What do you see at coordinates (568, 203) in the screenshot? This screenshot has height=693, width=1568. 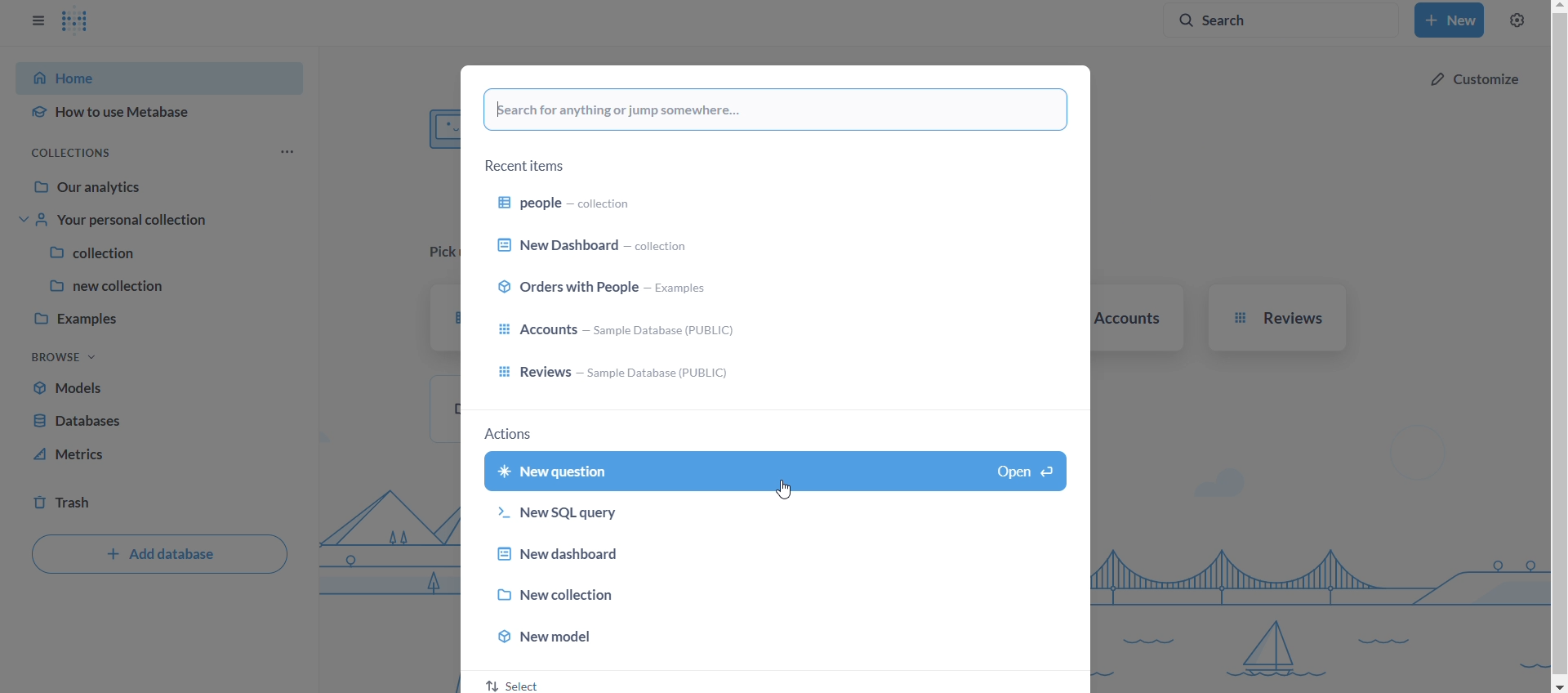 I see `people` at bounding box center [568, 203].